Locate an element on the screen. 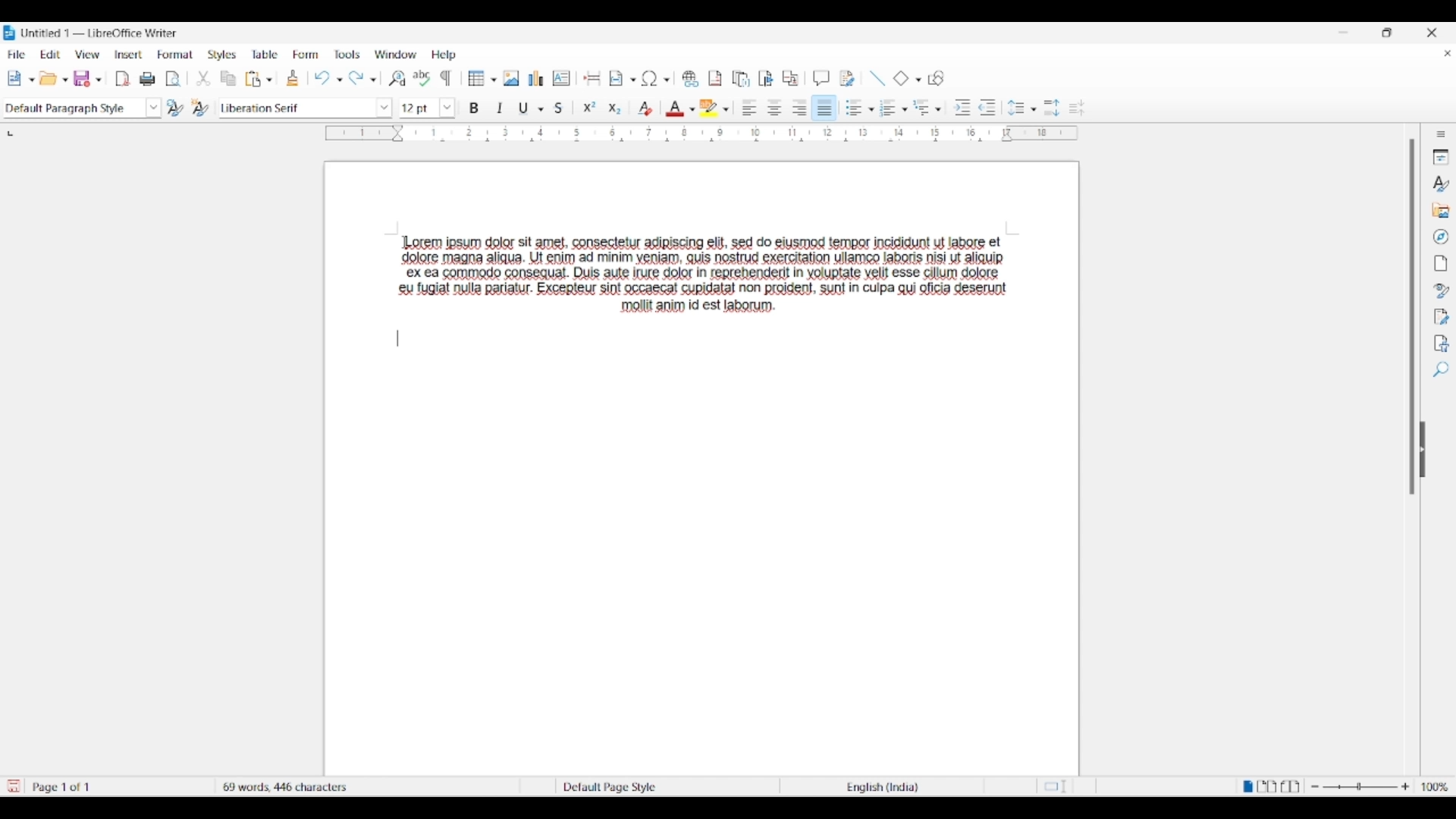 The width and height of the screenshot is (1456, 819). Clear direct formatting is located at coordinates (645, 108).